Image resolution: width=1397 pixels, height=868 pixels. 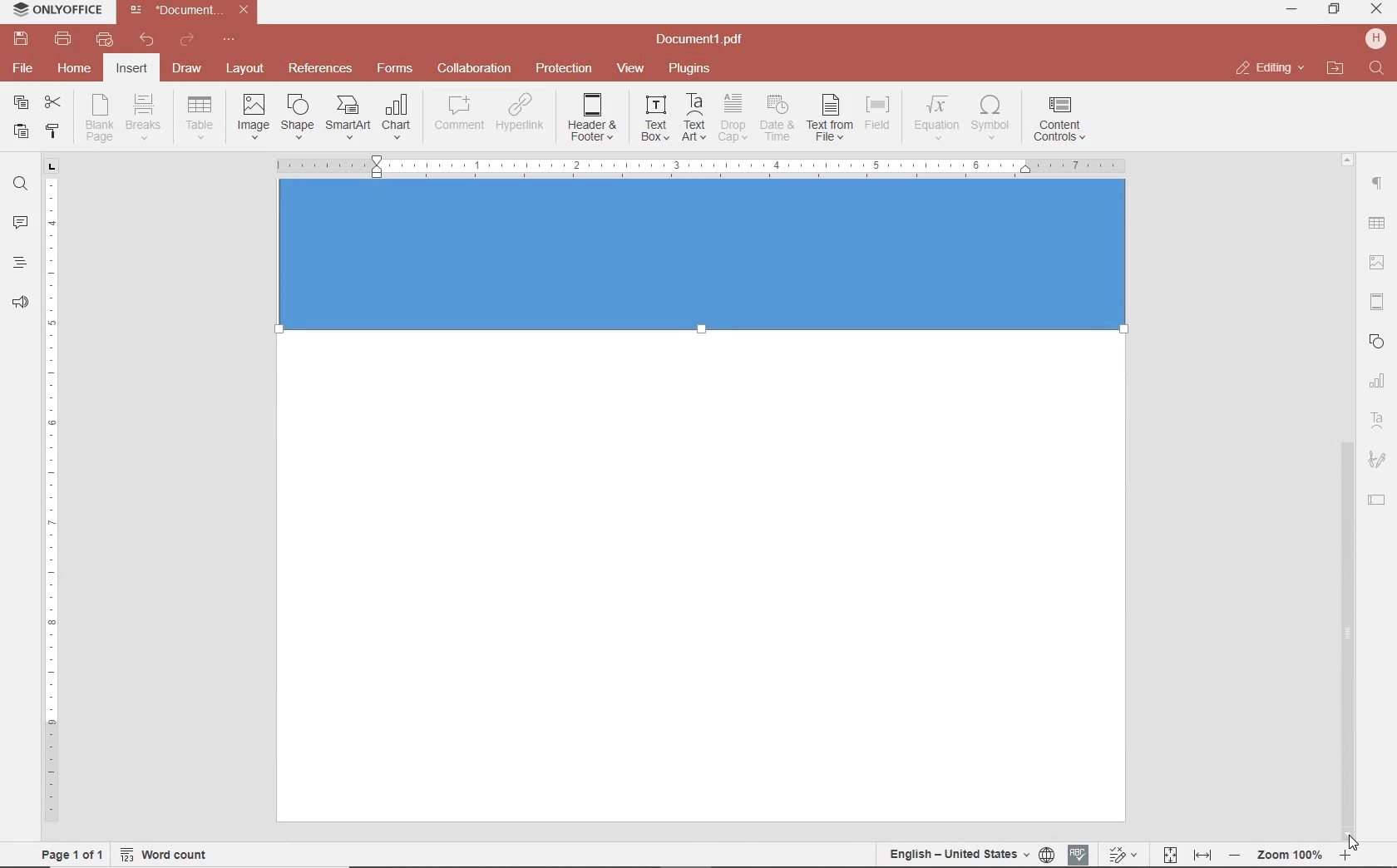 I want to click on copy, so click(x=21, y=104).